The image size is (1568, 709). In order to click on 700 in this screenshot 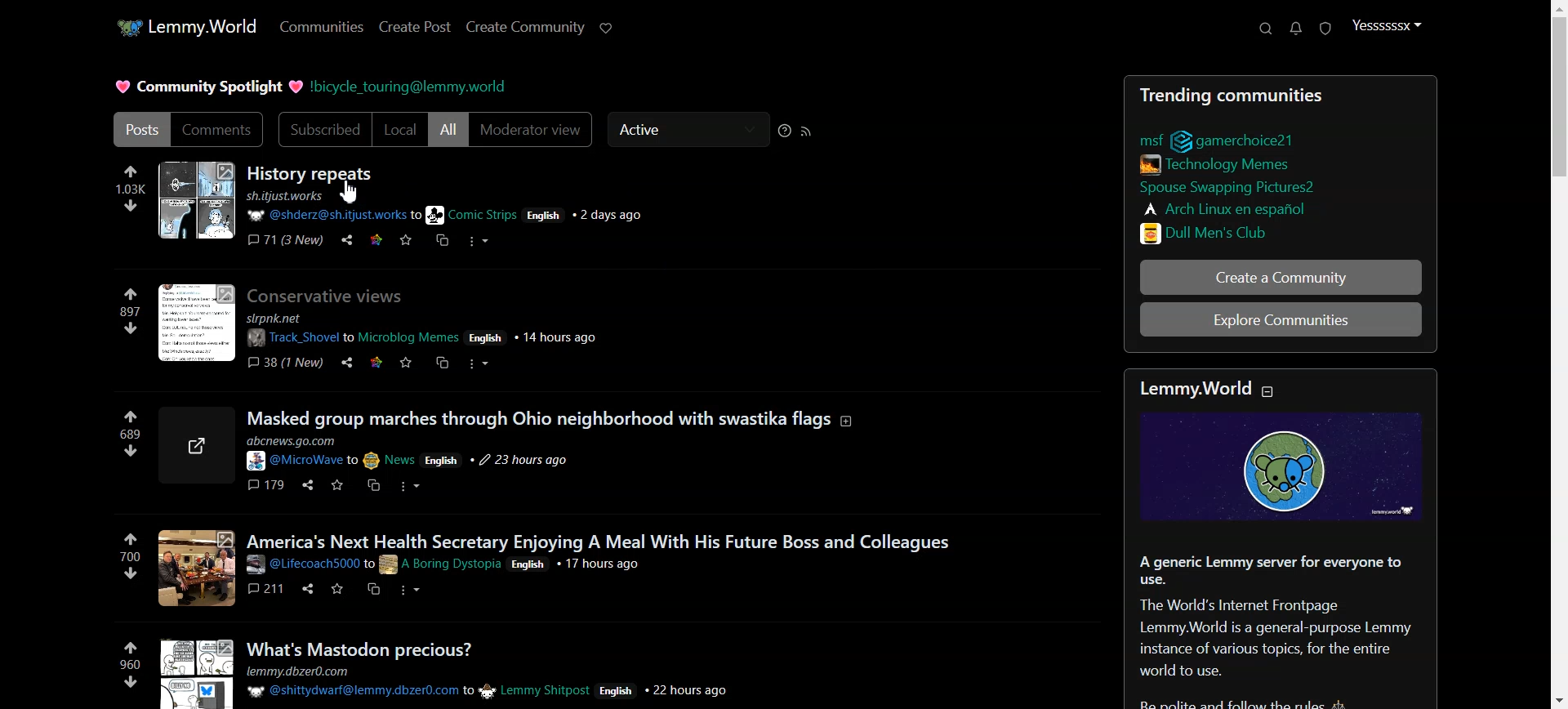, I will do `click(127, 559)`.